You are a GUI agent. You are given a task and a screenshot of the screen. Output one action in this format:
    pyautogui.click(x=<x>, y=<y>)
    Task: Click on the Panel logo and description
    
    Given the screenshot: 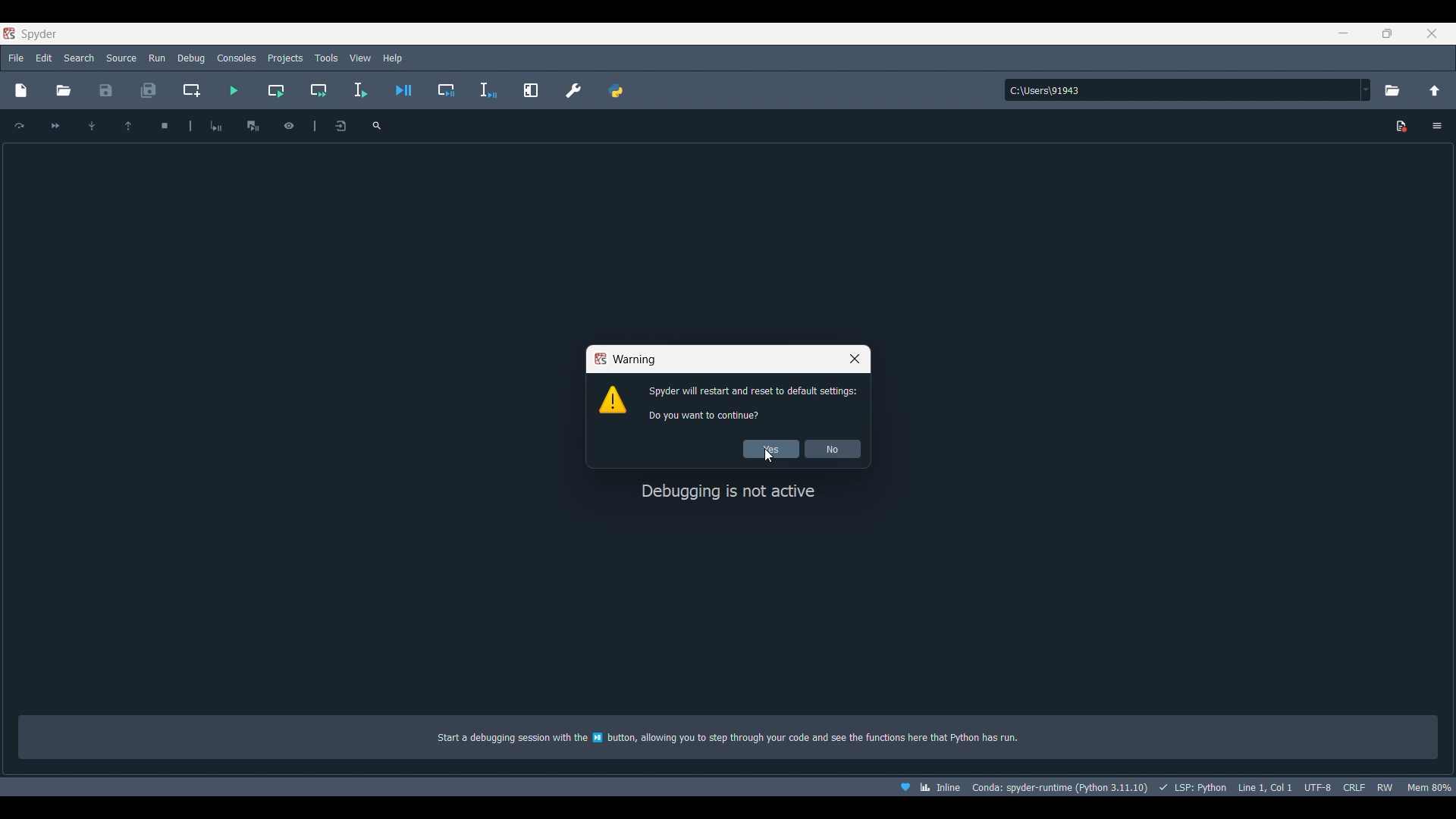 What is the action you would take?
    pyautogui.click(x=731, y=598)
    